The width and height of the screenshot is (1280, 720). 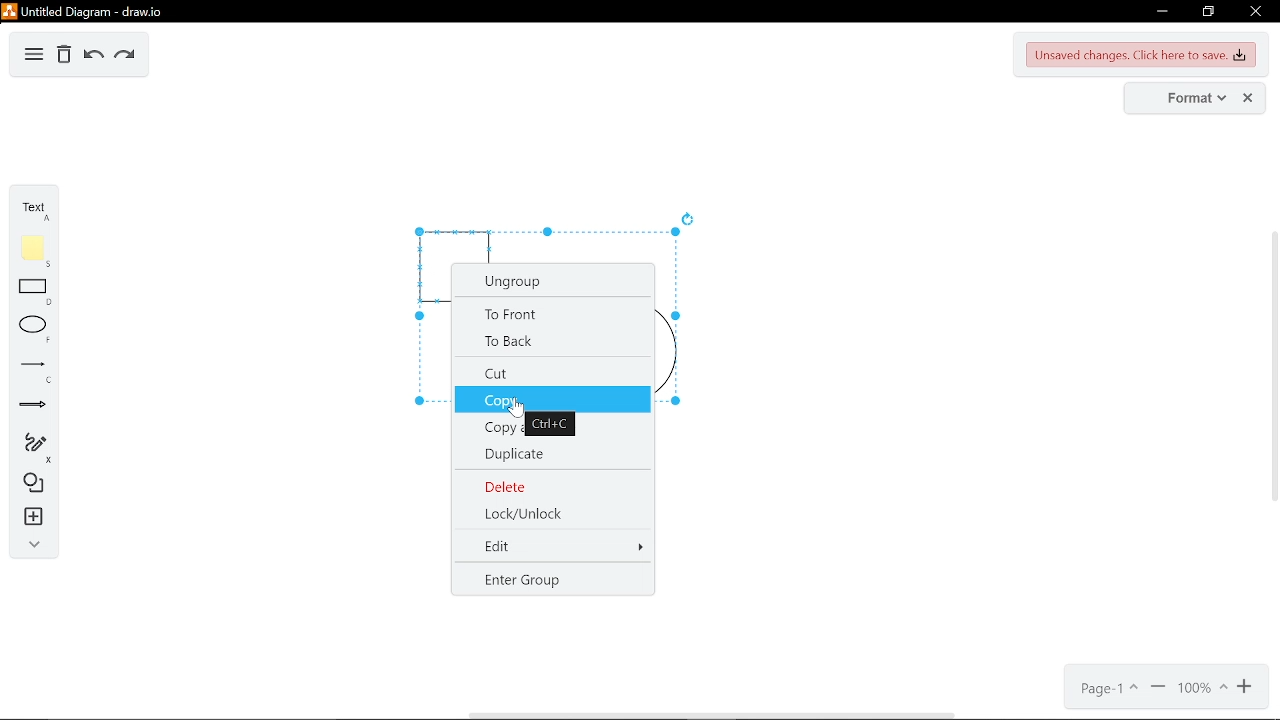 What do you see at coordinates (557, 428) in the screenshot?
I see `copy as image` at bounding box center [557, 428].